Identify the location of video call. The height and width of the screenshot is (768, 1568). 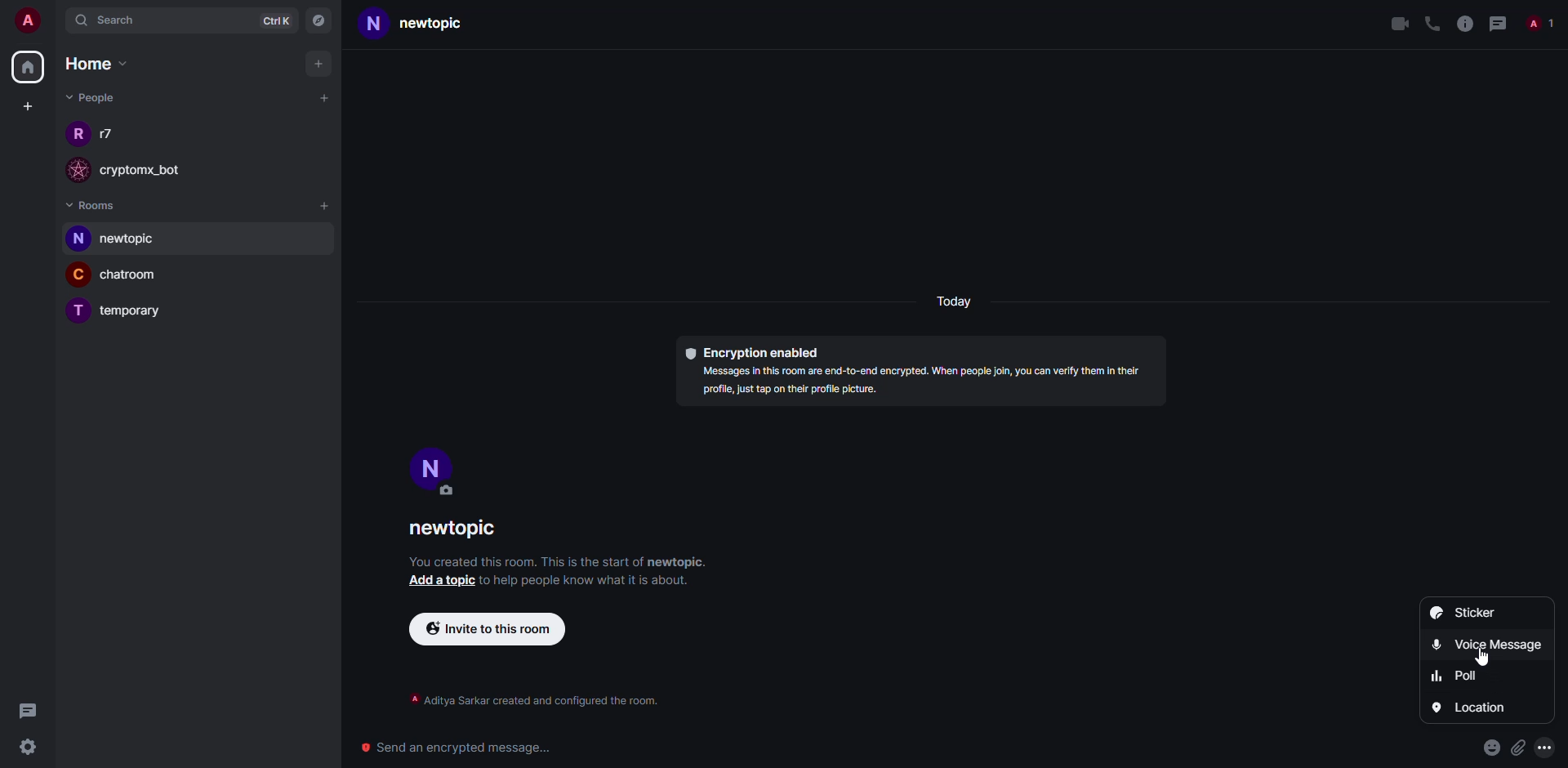
(1398, 24).